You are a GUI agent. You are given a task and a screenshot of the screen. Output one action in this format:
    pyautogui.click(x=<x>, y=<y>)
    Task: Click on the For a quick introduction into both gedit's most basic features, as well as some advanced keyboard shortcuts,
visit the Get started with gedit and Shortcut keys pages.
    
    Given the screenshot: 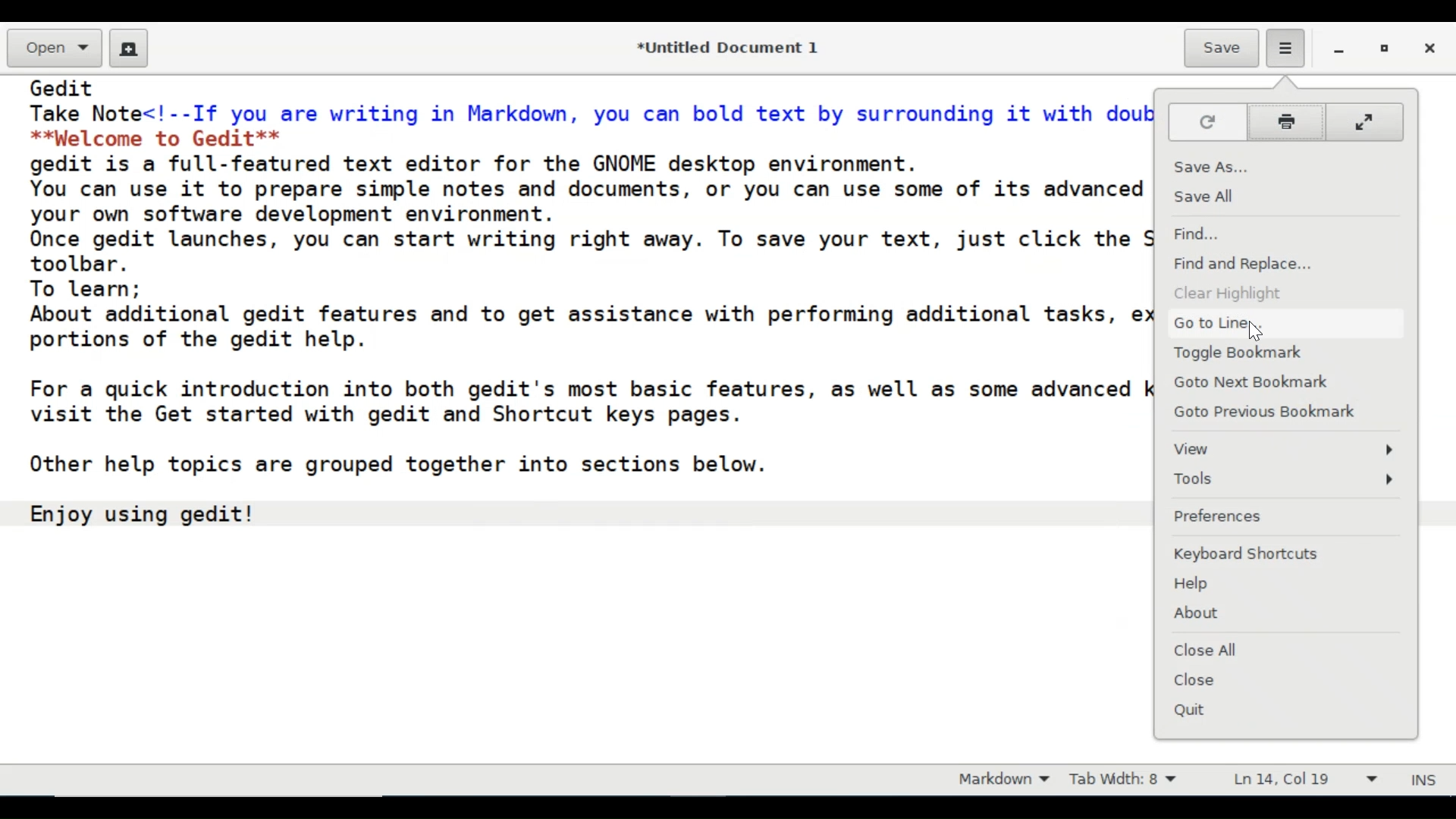 What is the action you would take?
    pyautogui.click(x=591, y=396)
    